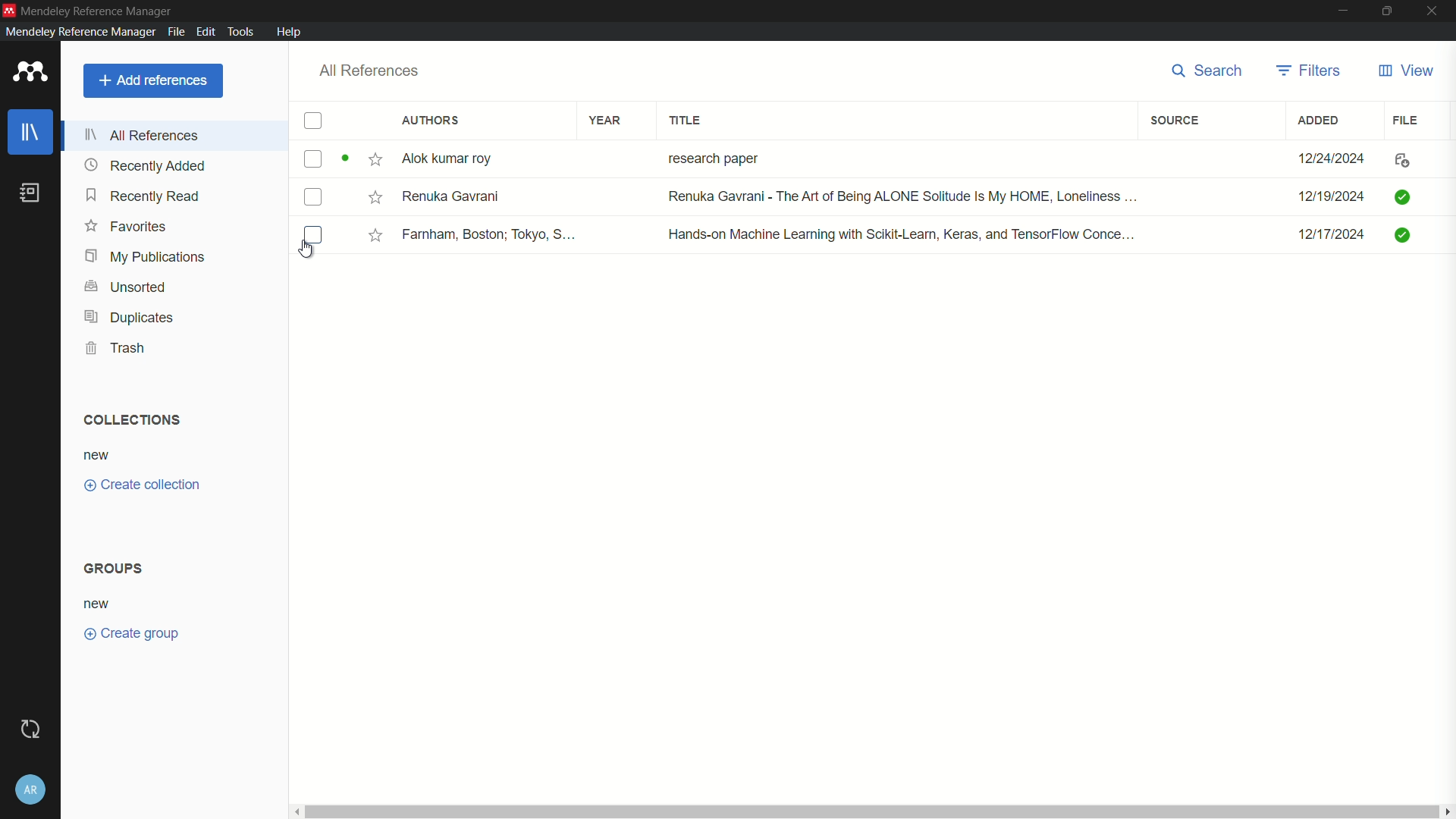 Image resolution: width=1456 pixels, height=819 pixels. What do you see at coordinates (99, 454) in the screenshot?
I see `new` at bounding box center [99, 454].